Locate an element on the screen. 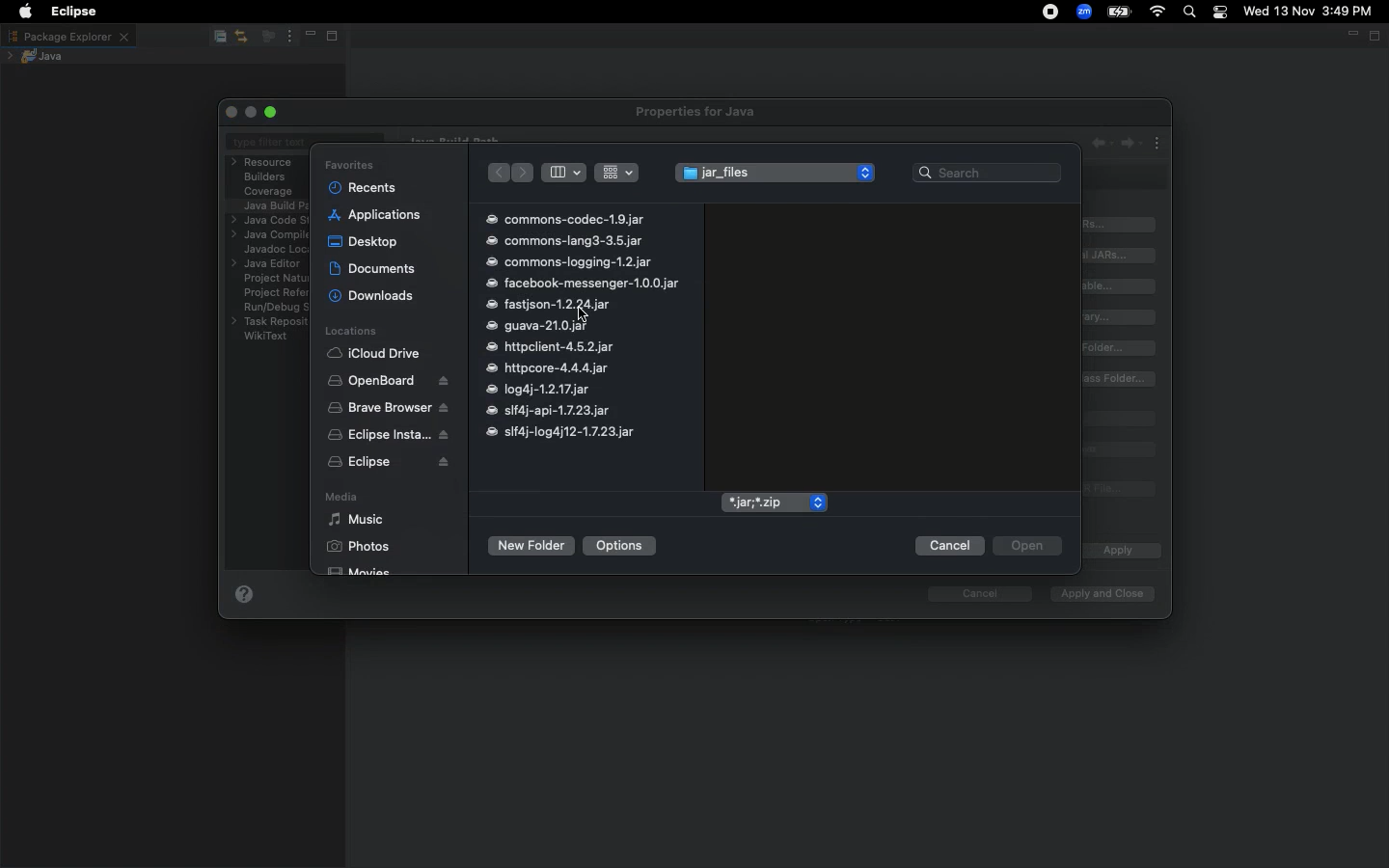  Java code style is located at coordinates (267, 221).